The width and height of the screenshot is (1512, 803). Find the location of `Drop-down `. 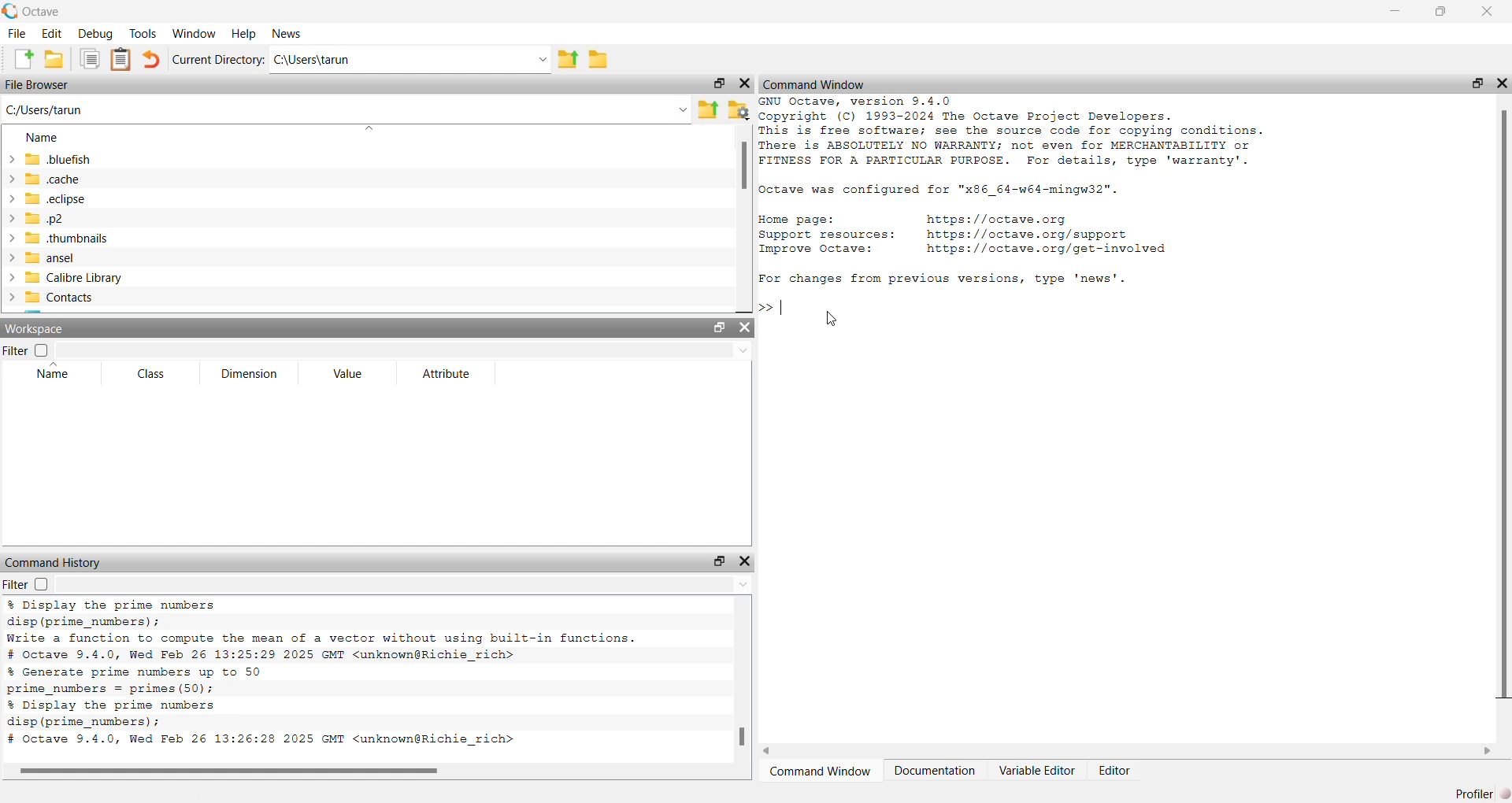

Drop-down  is located at coordinates (743, 586).